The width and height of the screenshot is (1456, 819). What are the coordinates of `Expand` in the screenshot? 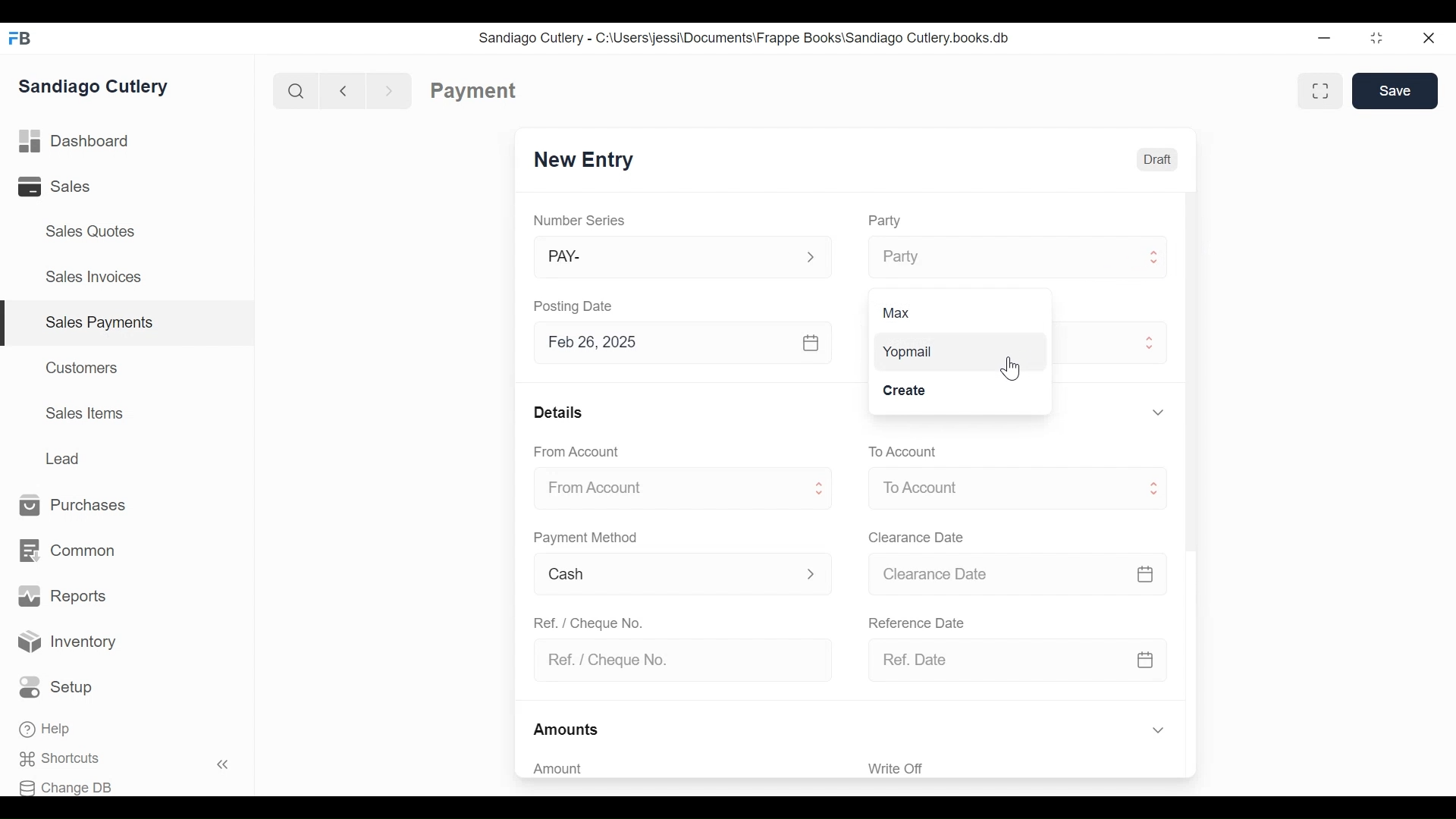 It's located at (1156, 256).